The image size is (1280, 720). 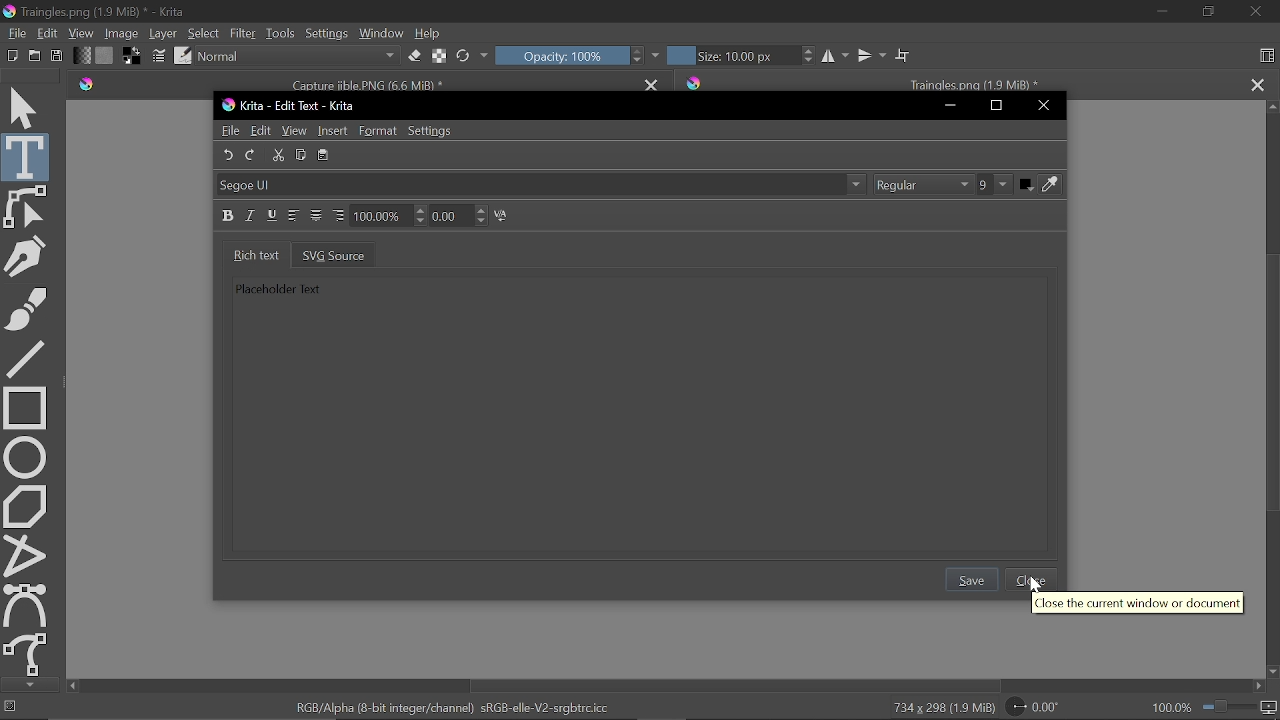 What do you see at coordinates (950, 106) in the screenshot?
I see `Minimize` at bounding box center [950, 106].